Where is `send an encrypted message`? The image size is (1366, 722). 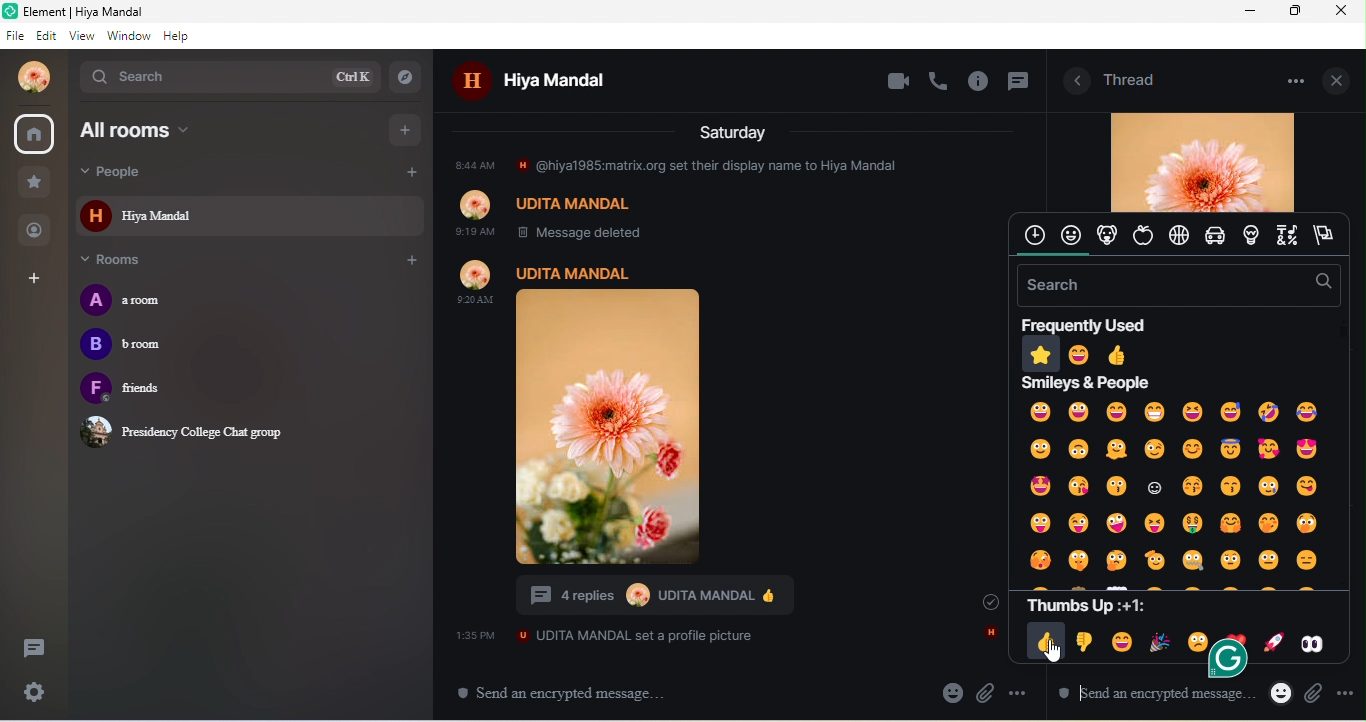 send an encrypted message is located at coordinates (571, 693).